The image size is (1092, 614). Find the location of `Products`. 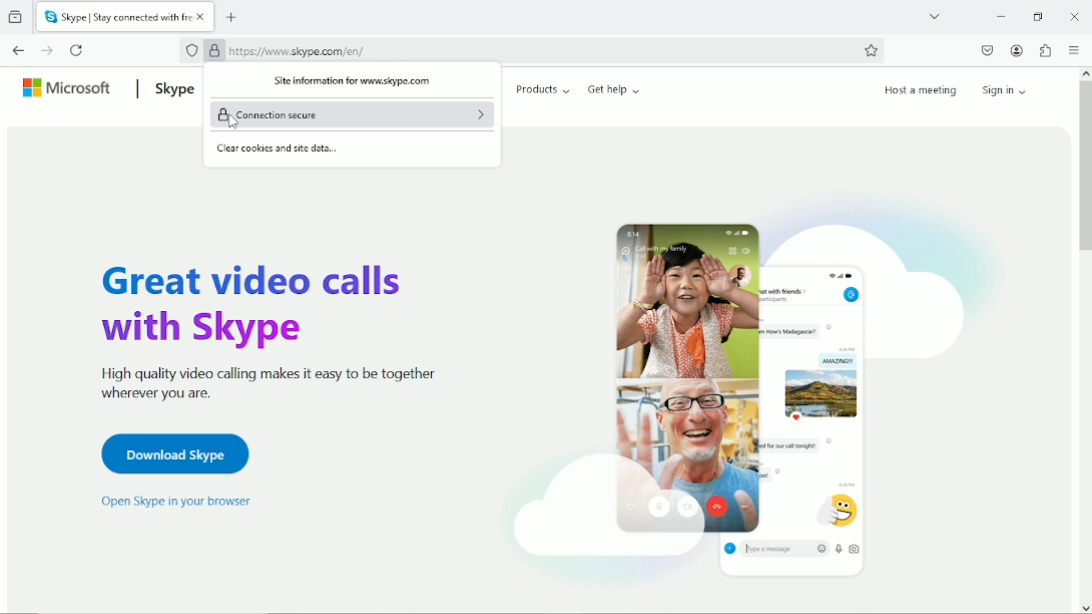

Products is located at coordinates (543, 89).